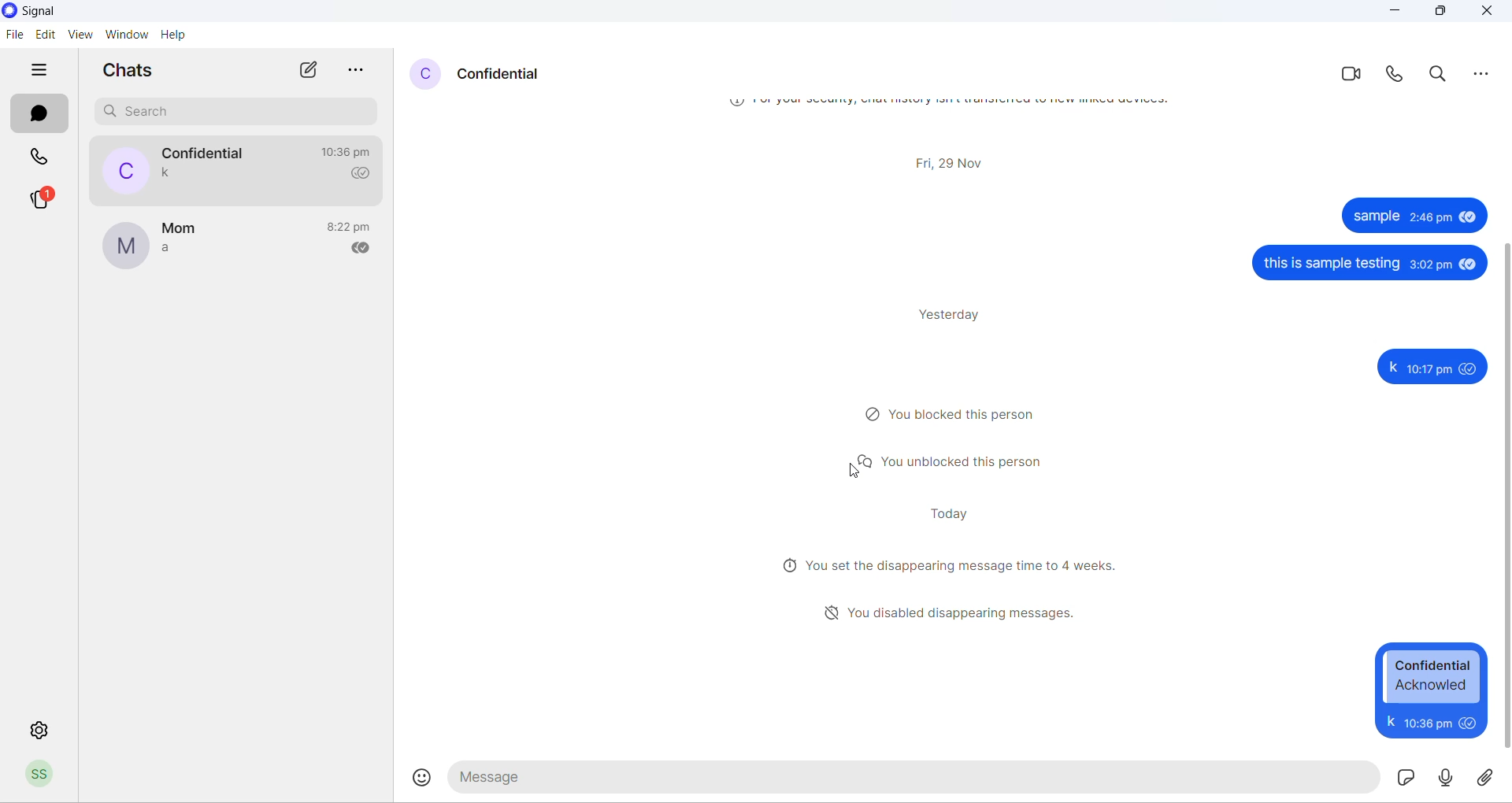  I want to click on 10:17 pm, so click(1430, 722).